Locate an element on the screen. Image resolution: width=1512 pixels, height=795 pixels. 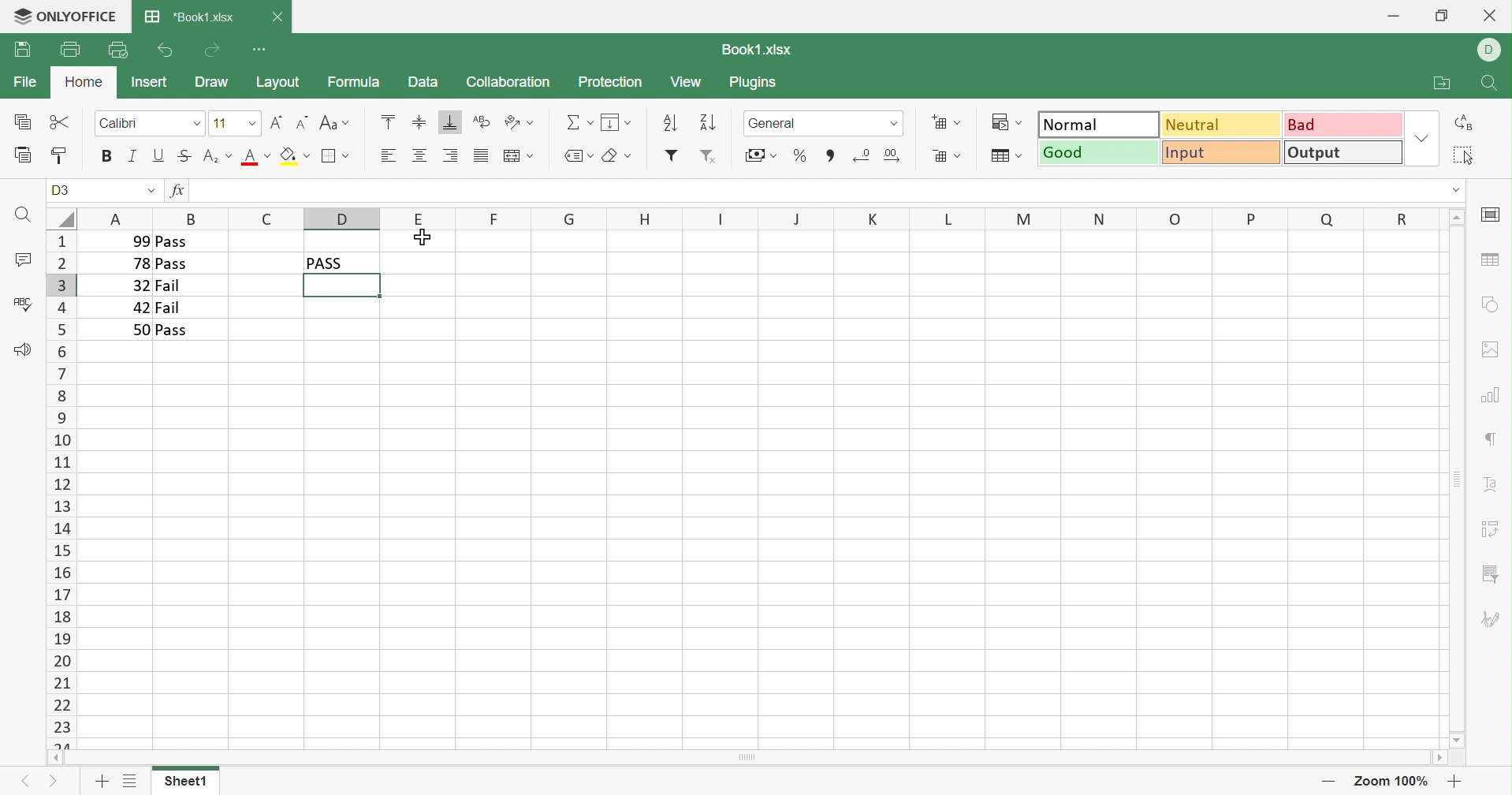
File is located at coordinates (26, 81).